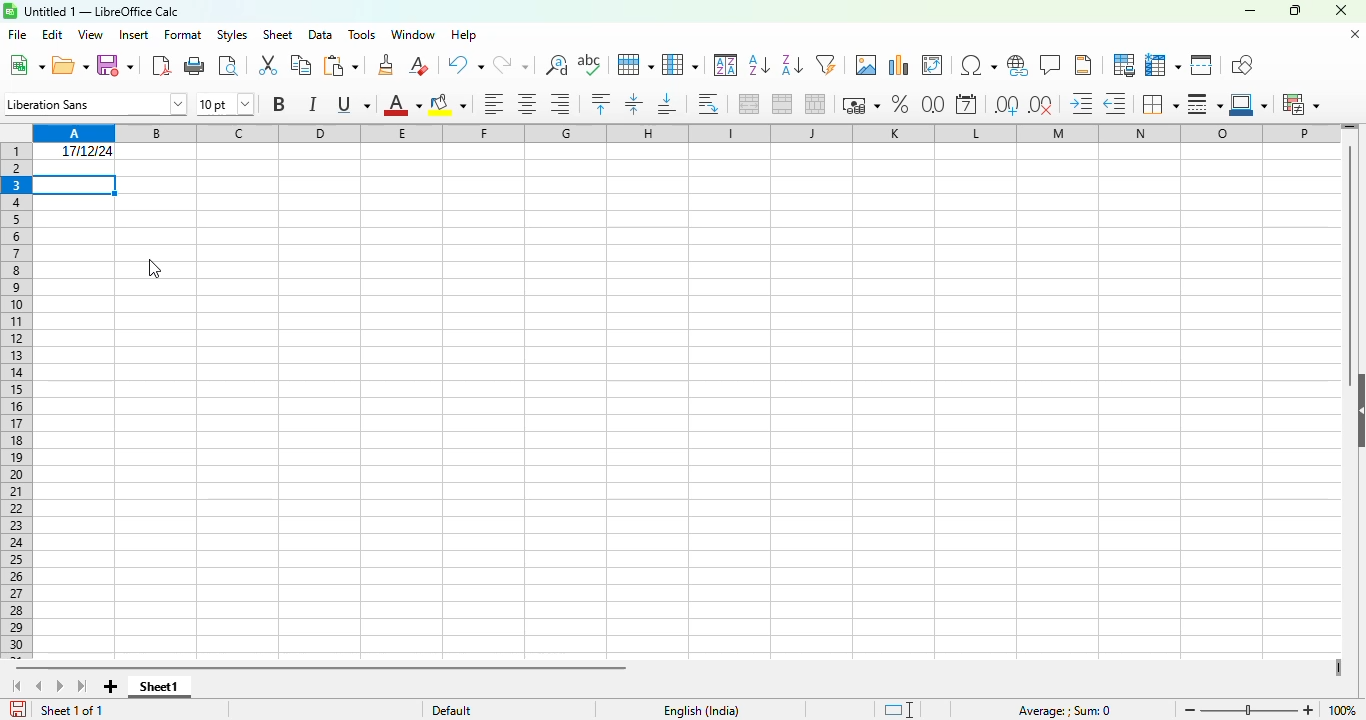 The width and height of the screenshot is (1366, 720). What do you see at coordinates (1308, 710) in the screenshot?
I see `zoom in` at bounding box center [1308, 710].